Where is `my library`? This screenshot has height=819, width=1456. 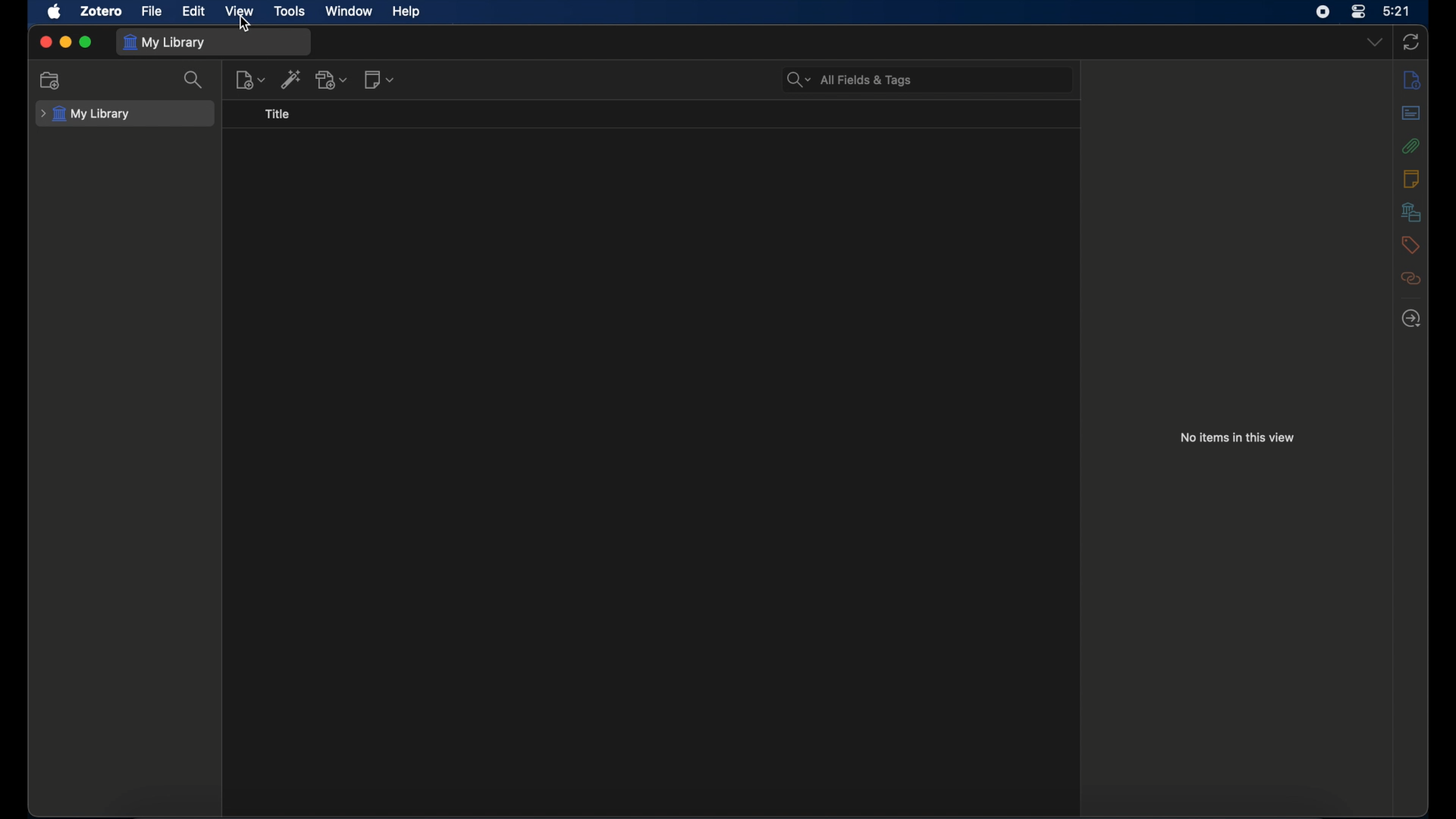 my library is located at coordinates (86, 115).